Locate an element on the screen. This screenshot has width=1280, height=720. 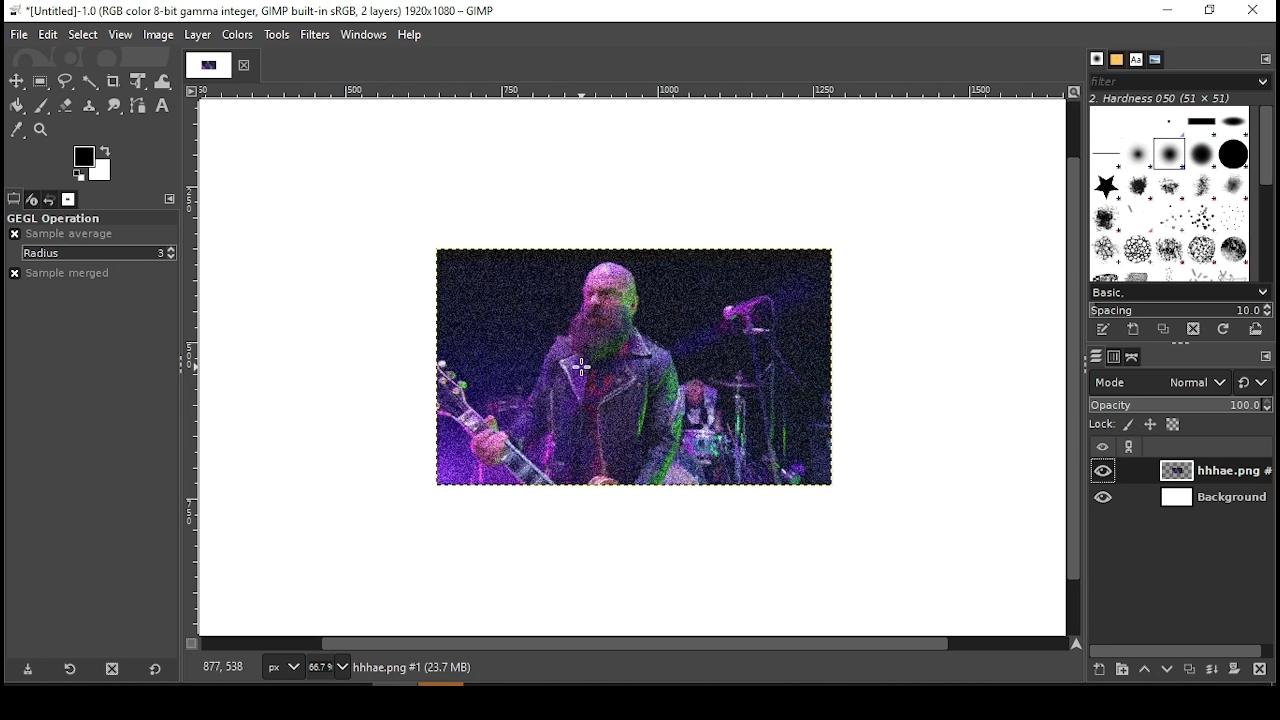
configure this tab is located at coordinates (1264, 356).